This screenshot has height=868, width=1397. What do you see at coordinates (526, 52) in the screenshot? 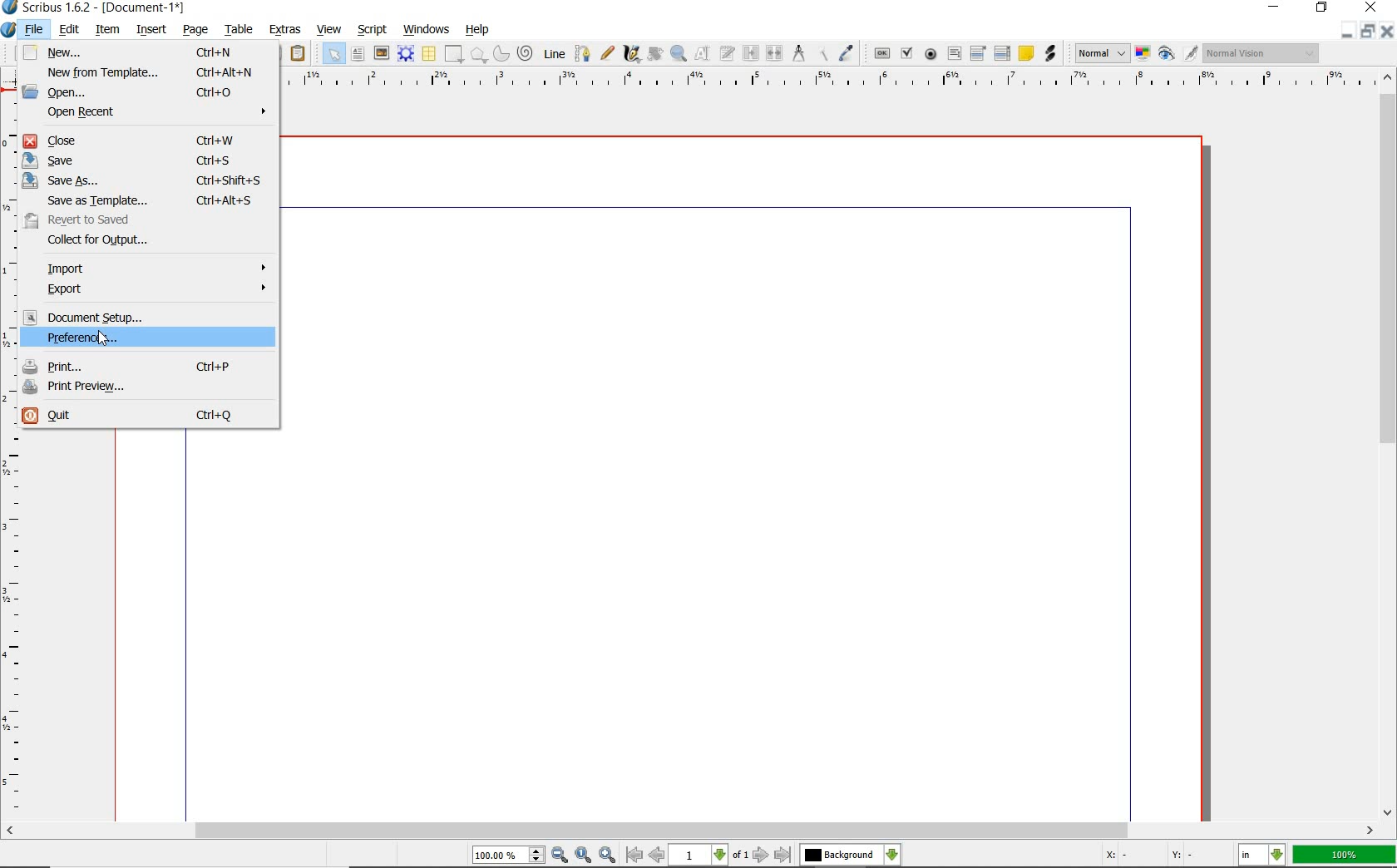
I see `spiral` at bounding box center [526, 52].